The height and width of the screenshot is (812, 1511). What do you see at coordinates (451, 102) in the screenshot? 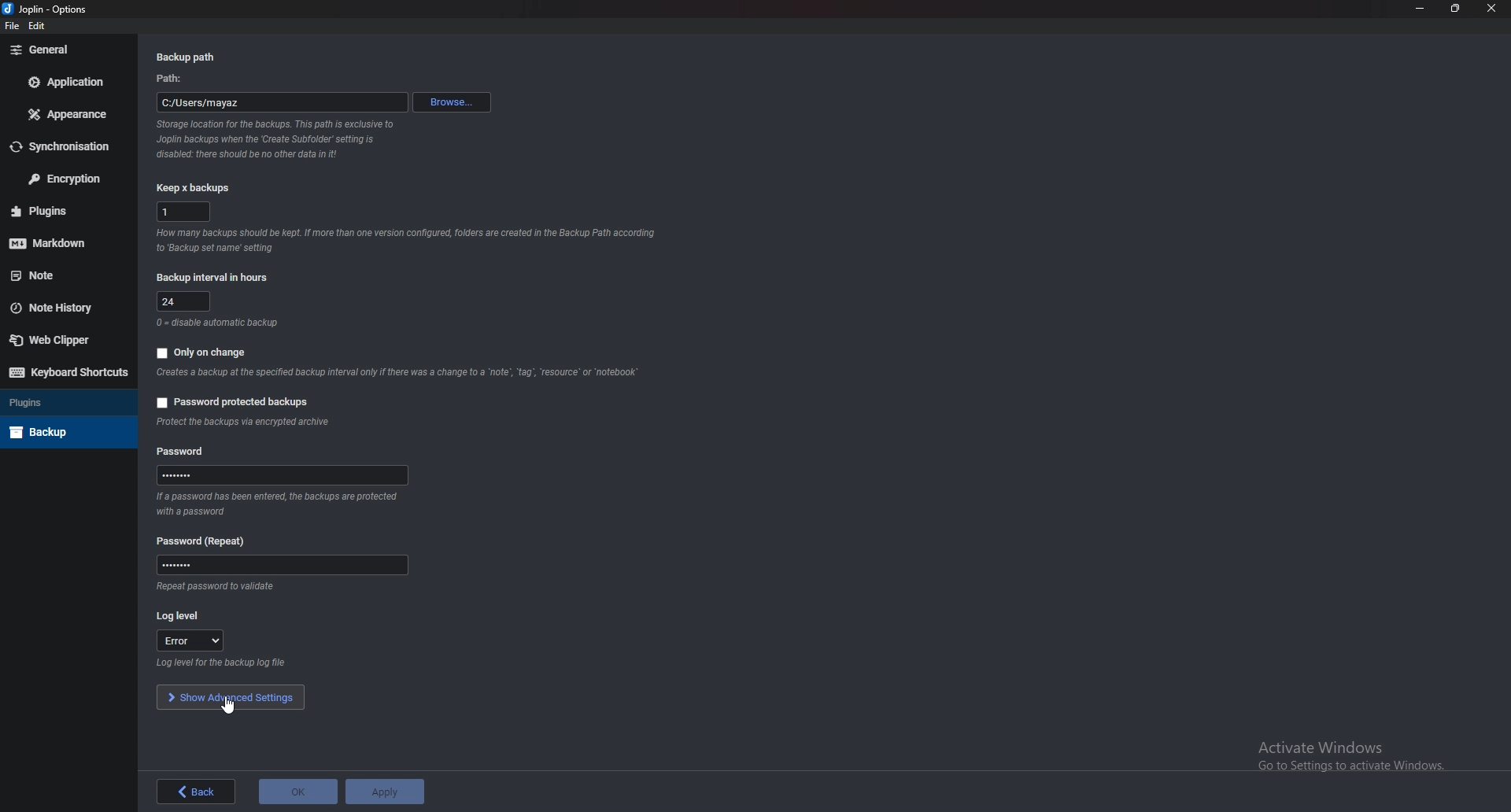
I see `browse` at bounding box center [451, 102].